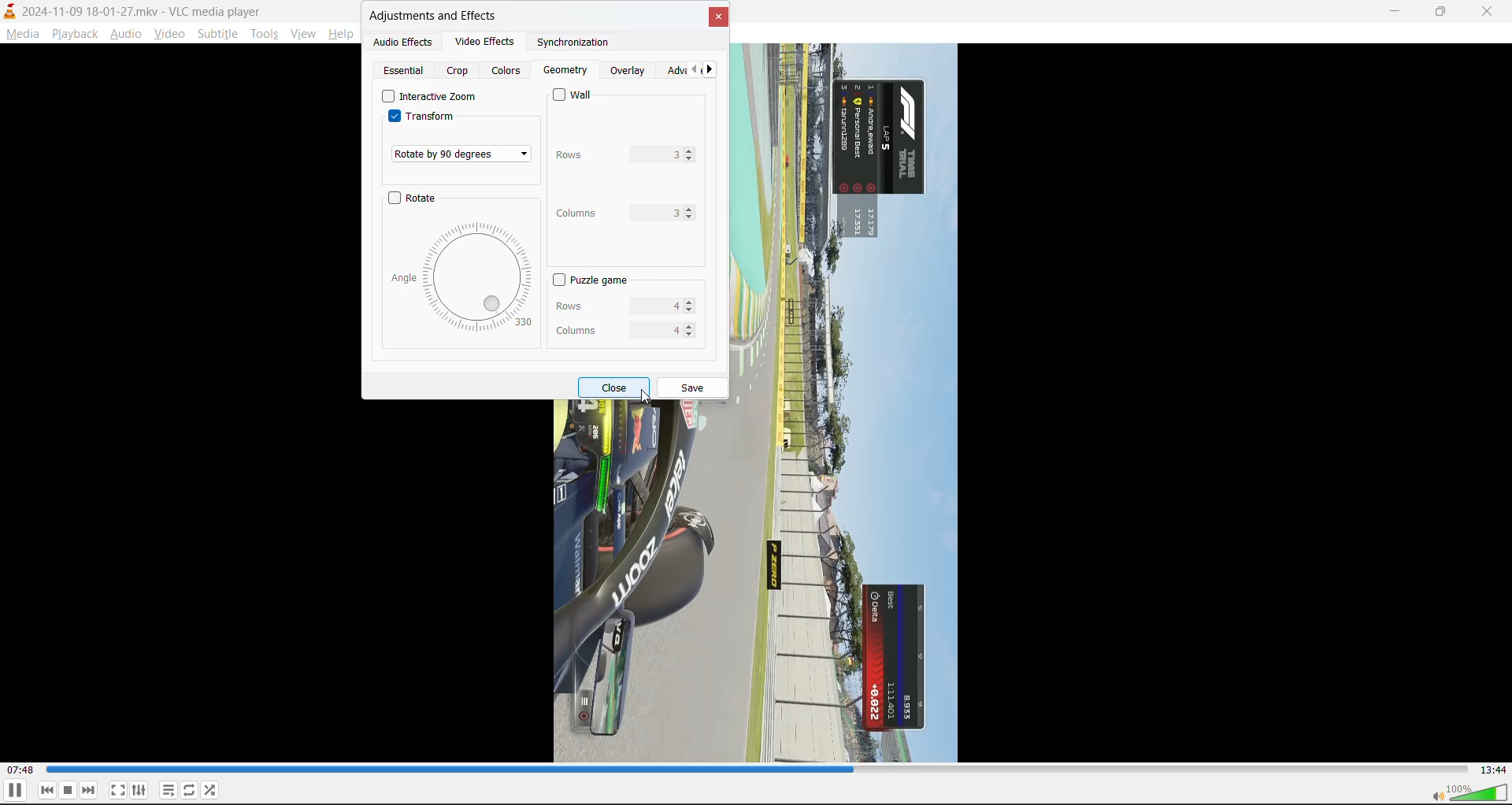  Describe the element at coordinates (117, 787) in the screenshot. I see `fullscreen` at that location.